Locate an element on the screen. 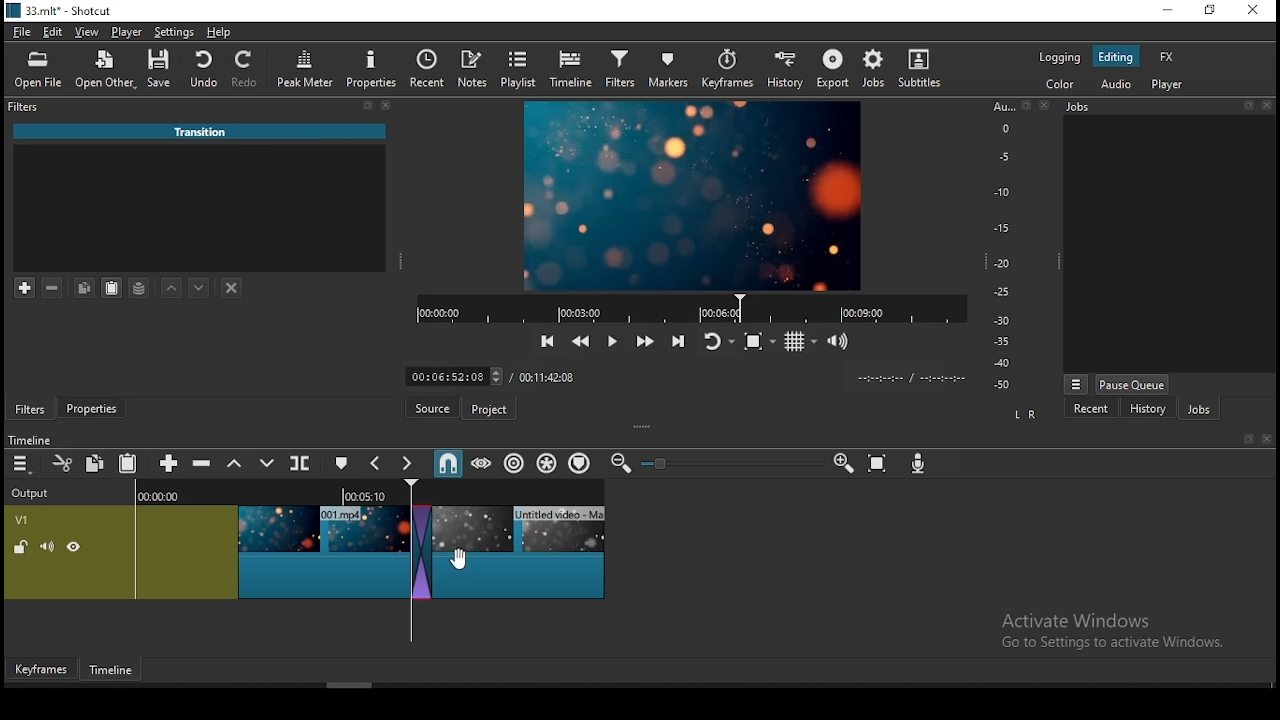 The image size is (1280, 720). player is located at coordinates (127, 31).